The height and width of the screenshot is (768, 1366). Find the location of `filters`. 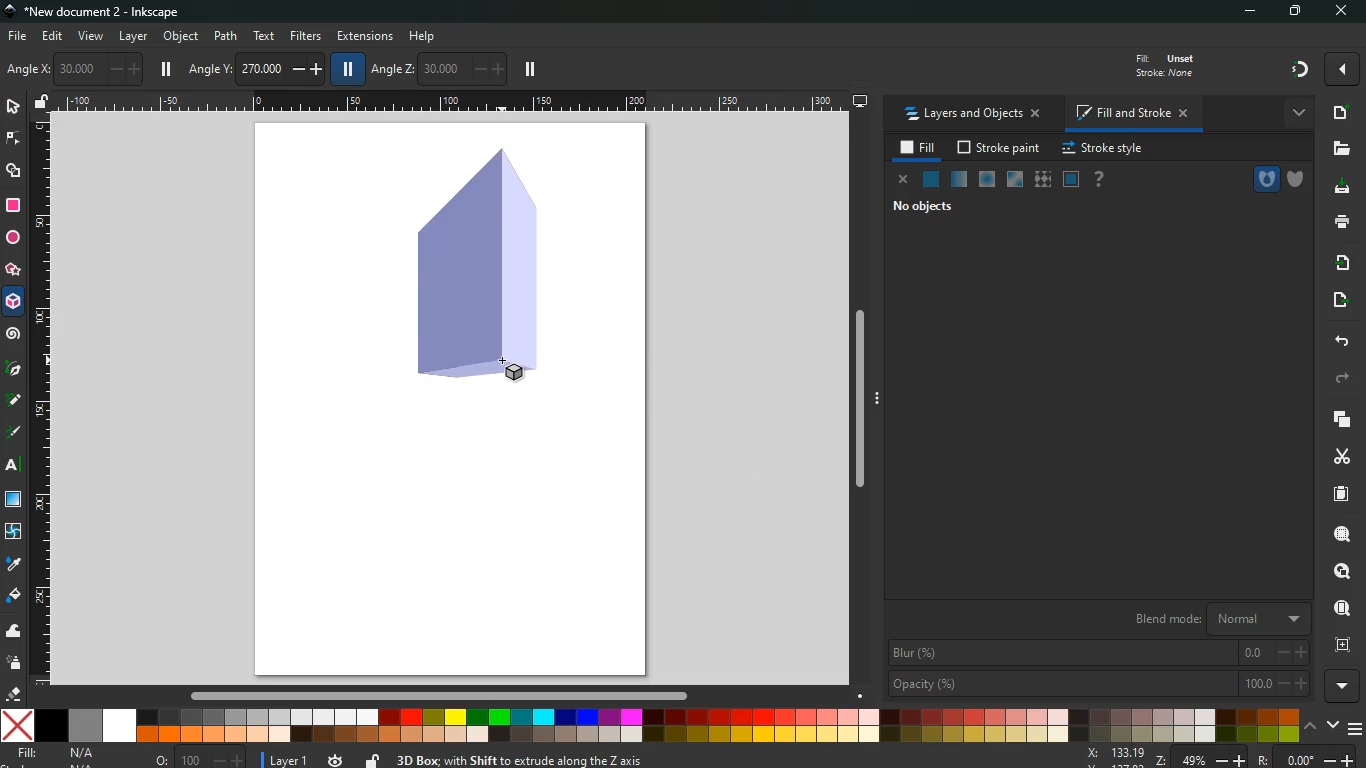

filters is located at coordinates (306, 35).